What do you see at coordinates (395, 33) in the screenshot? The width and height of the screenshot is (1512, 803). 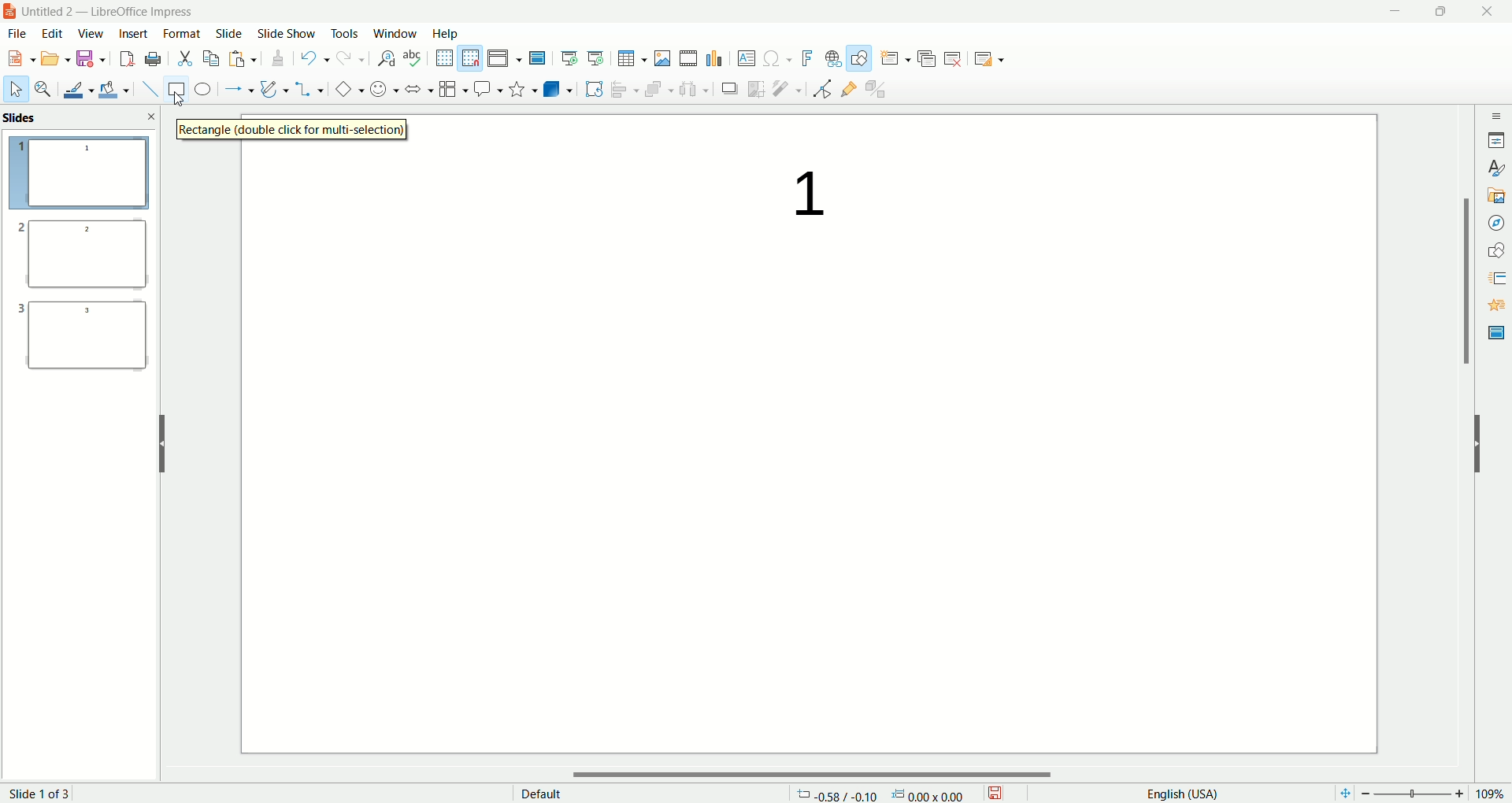 I see `window` at bounding box center [395, 33].